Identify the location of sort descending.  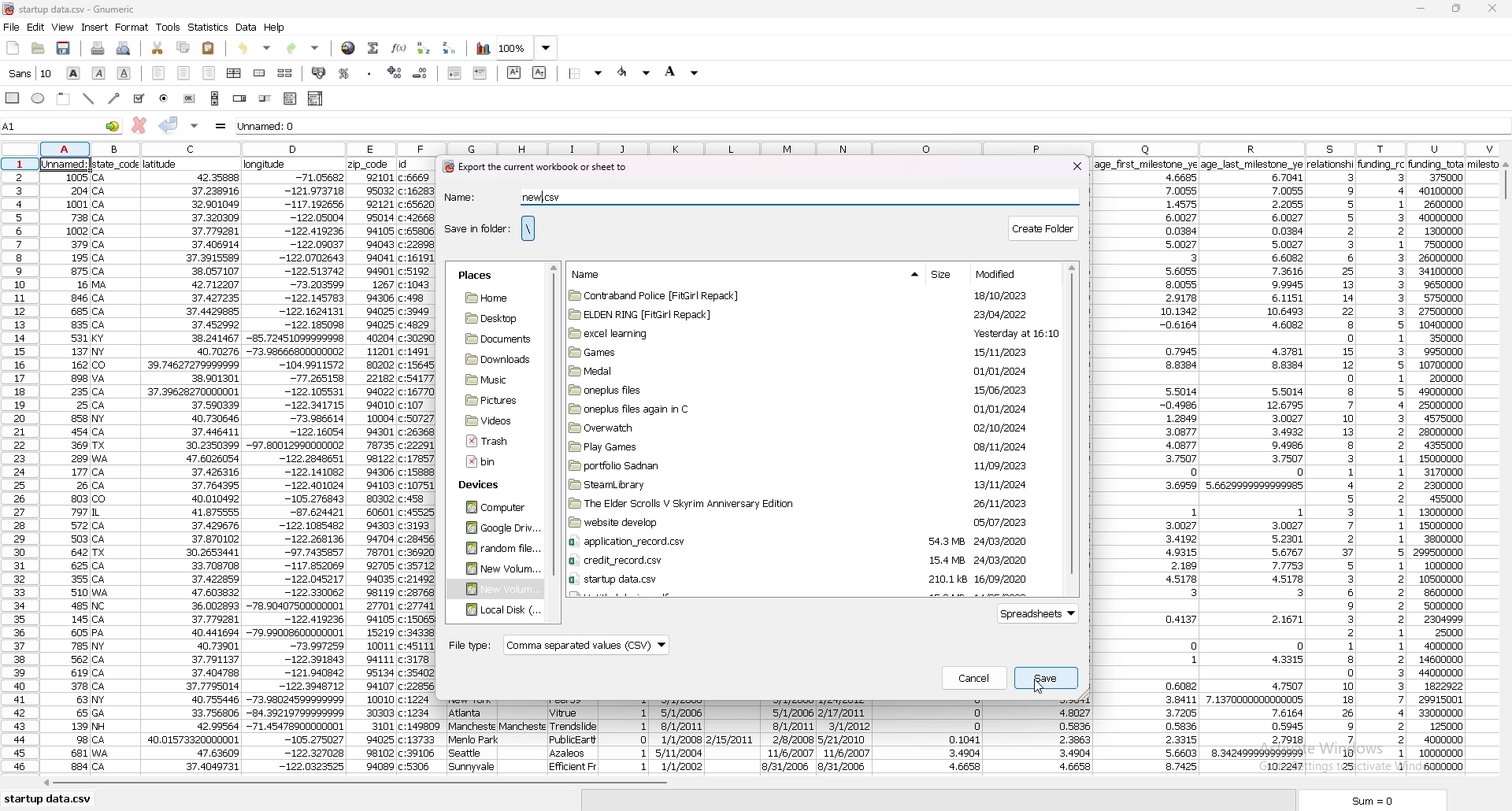
(450, 47).